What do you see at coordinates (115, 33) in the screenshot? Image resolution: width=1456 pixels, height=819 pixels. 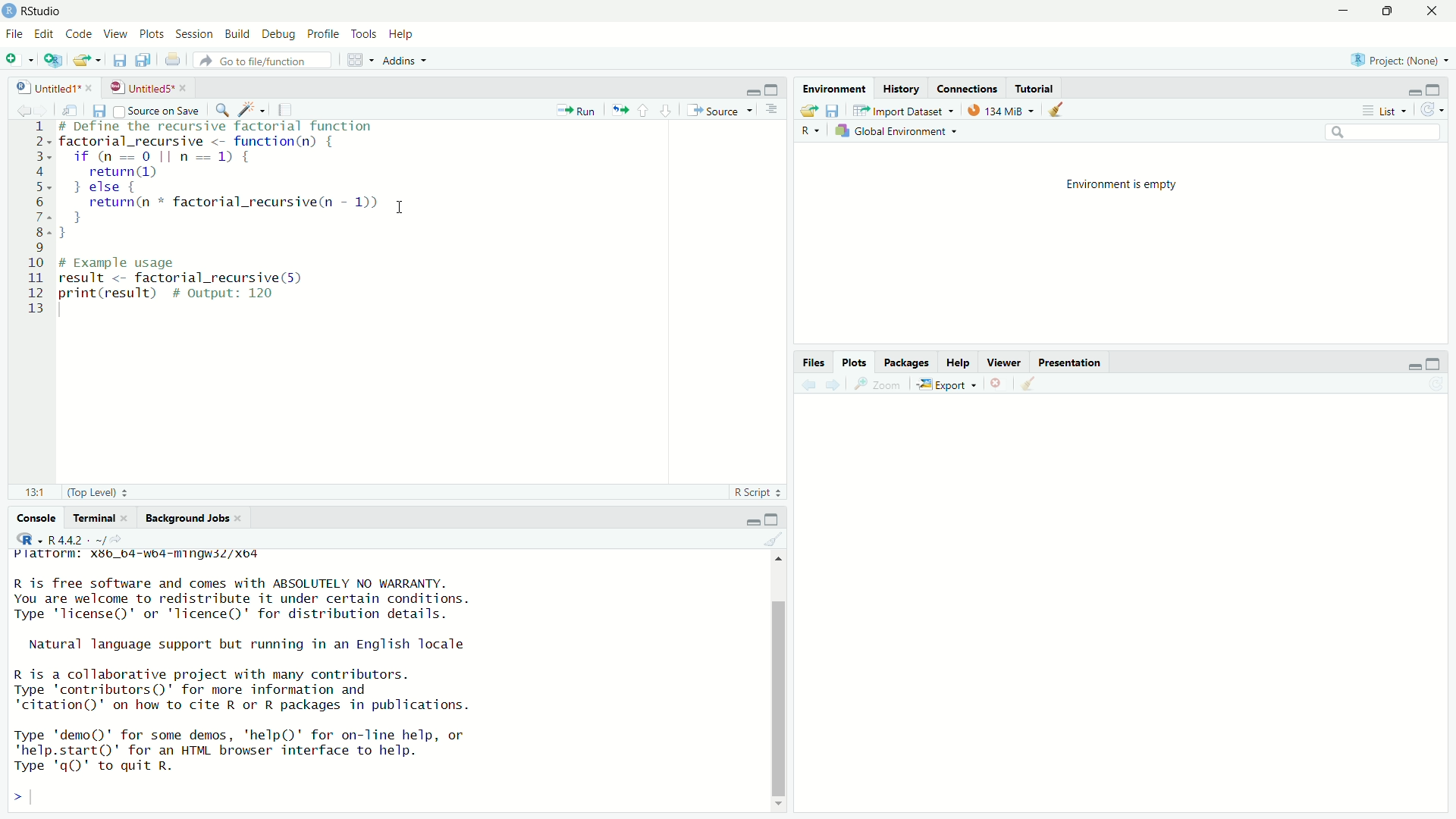 I see `View` at bounding box center [115, 33].